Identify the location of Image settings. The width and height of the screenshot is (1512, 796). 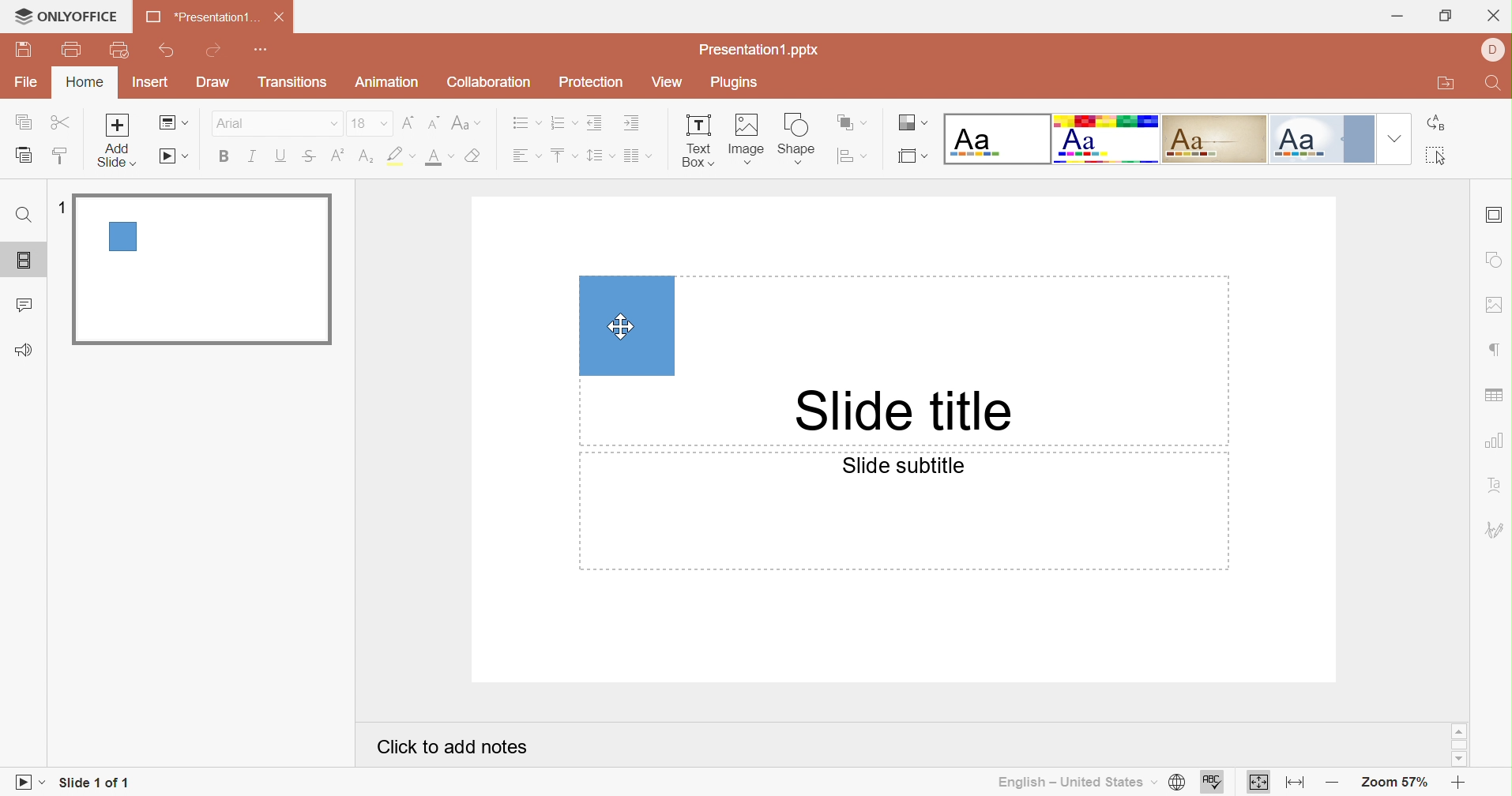
(1493, 306).